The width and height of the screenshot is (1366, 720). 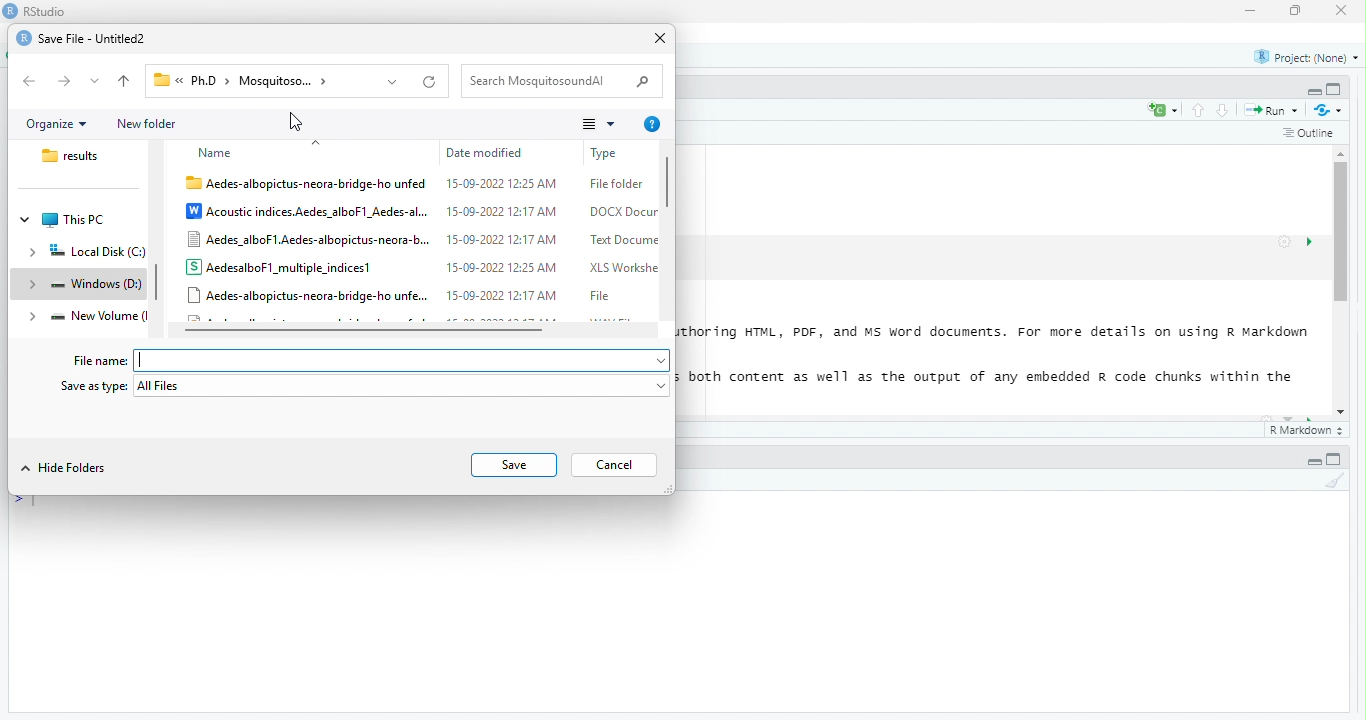 I want to click on Syncing , so click(x=1330, y=110).